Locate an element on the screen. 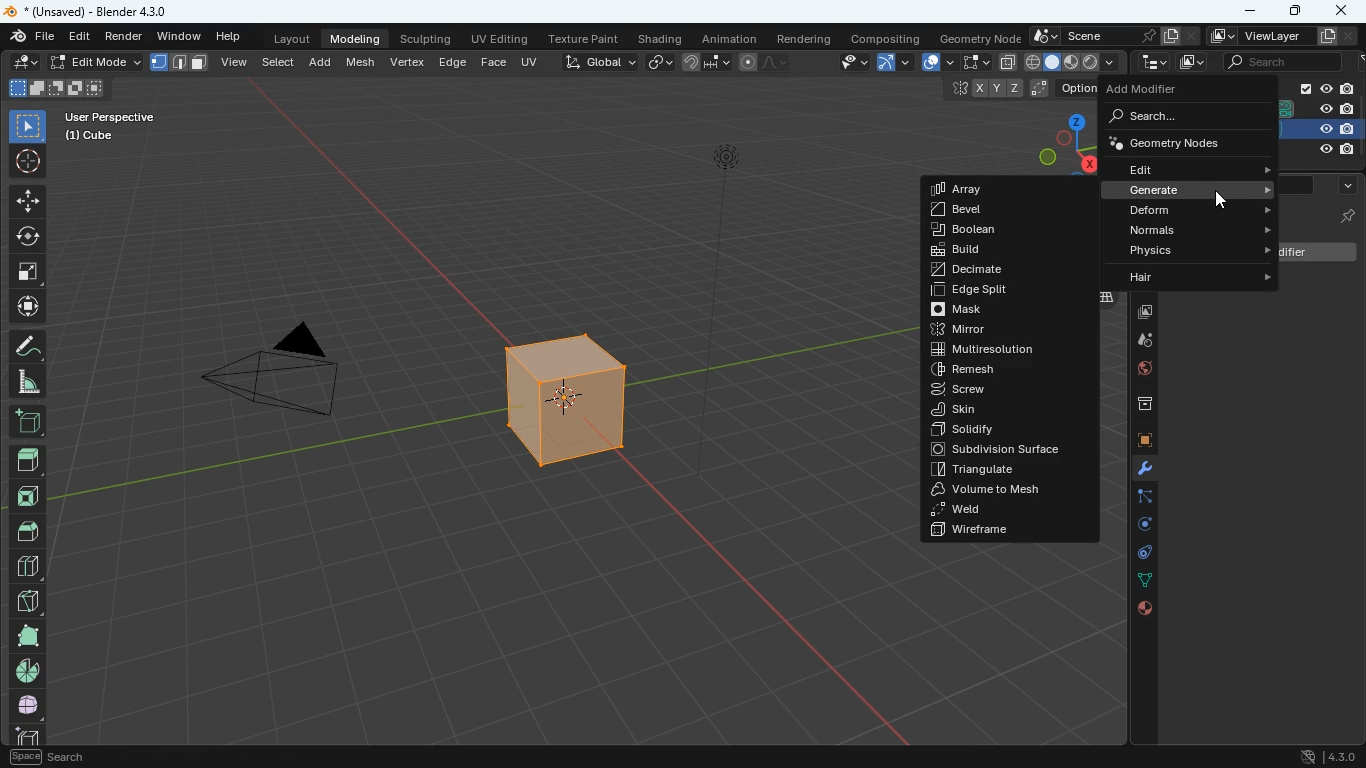  add is located at coordinates (321, 65).